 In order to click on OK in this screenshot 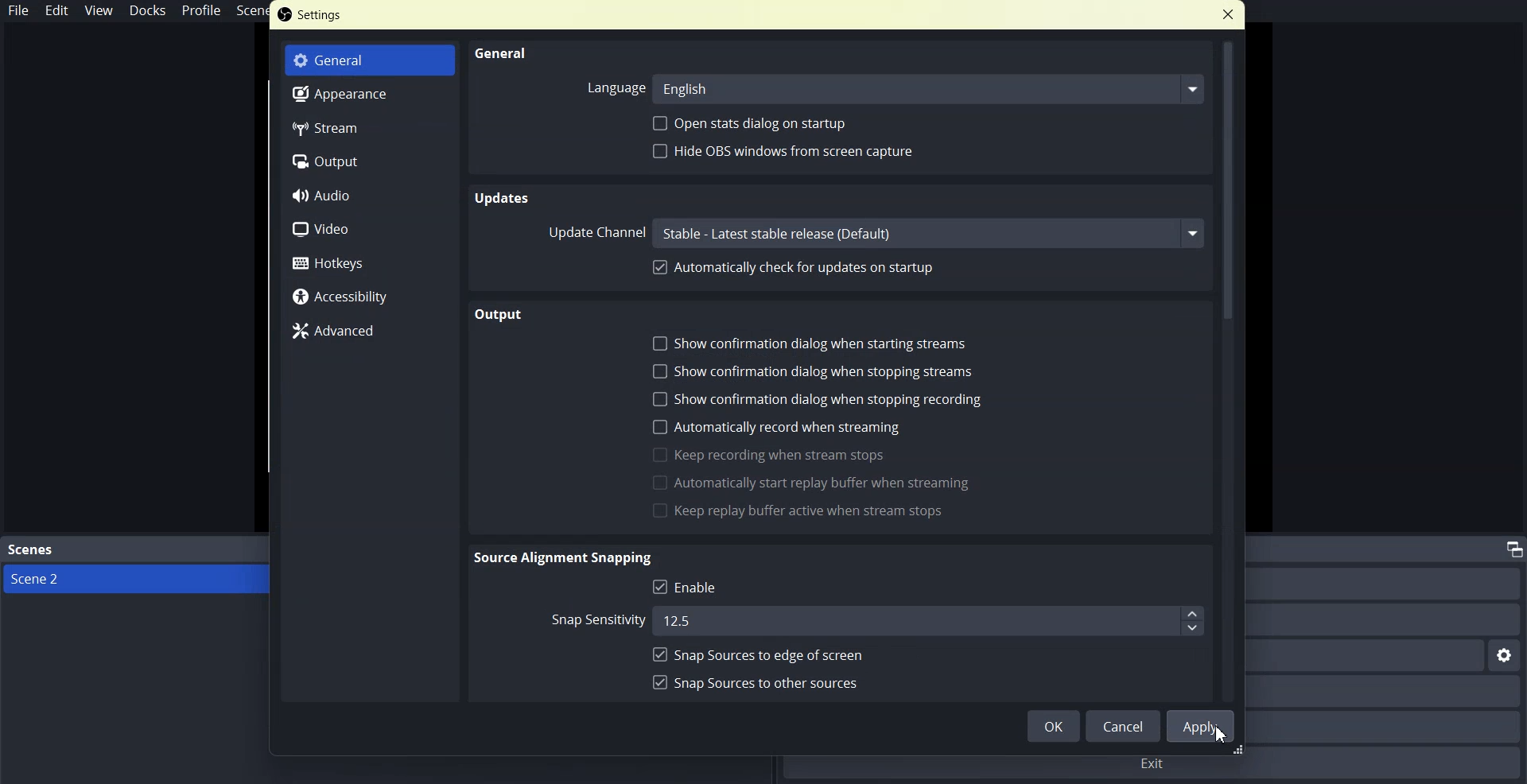, I will do `click(1052, 725)`.